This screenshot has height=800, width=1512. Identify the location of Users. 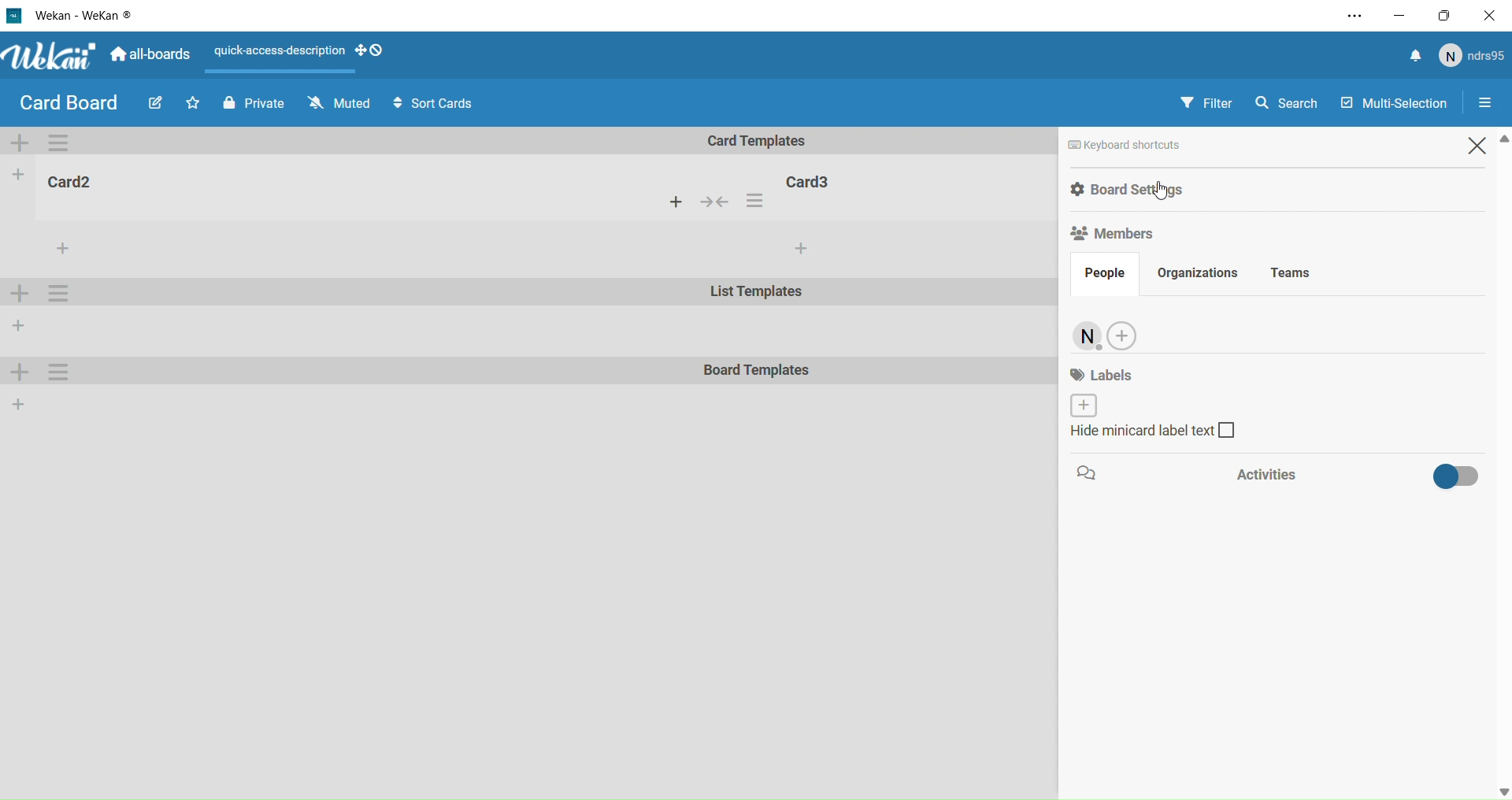
(1475, 57).